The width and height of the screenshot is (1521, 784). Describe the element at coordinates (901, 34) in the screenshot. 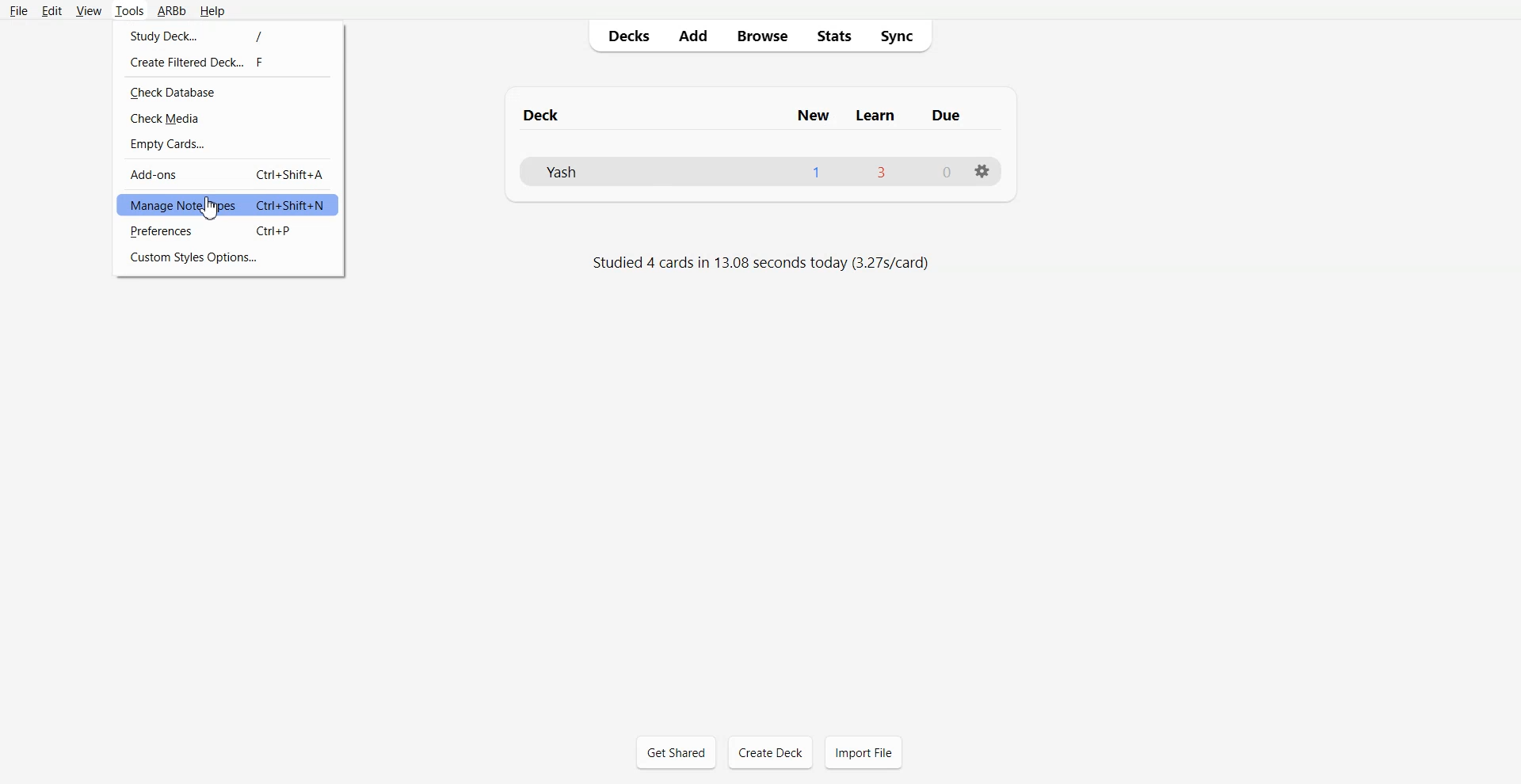

I see `Sync` at that location.